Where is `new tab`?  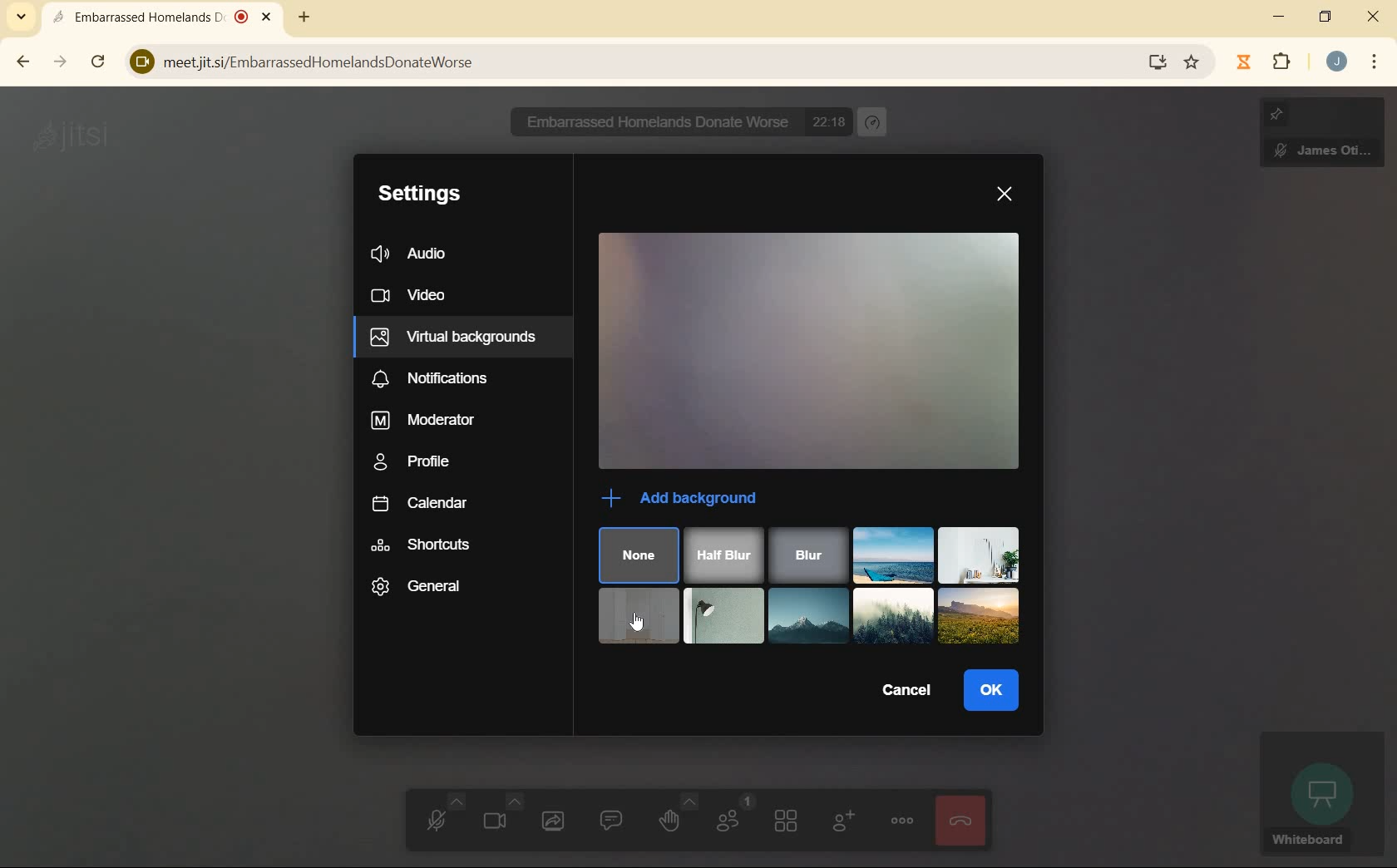 new tab is located at coordinates (305, 16).